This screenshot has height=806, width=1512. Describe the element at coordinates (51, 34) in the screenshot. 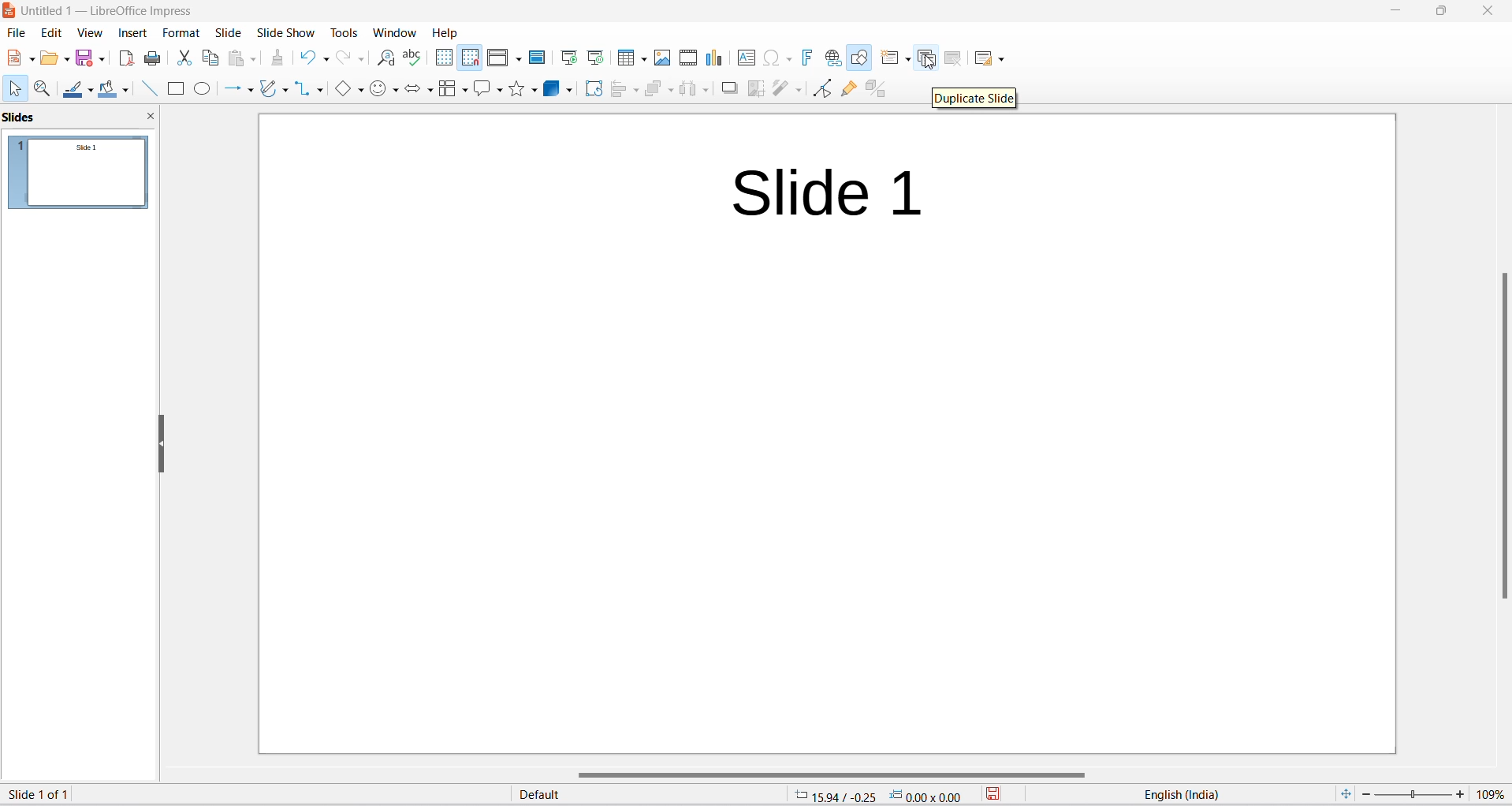

I see `edit` at that location.